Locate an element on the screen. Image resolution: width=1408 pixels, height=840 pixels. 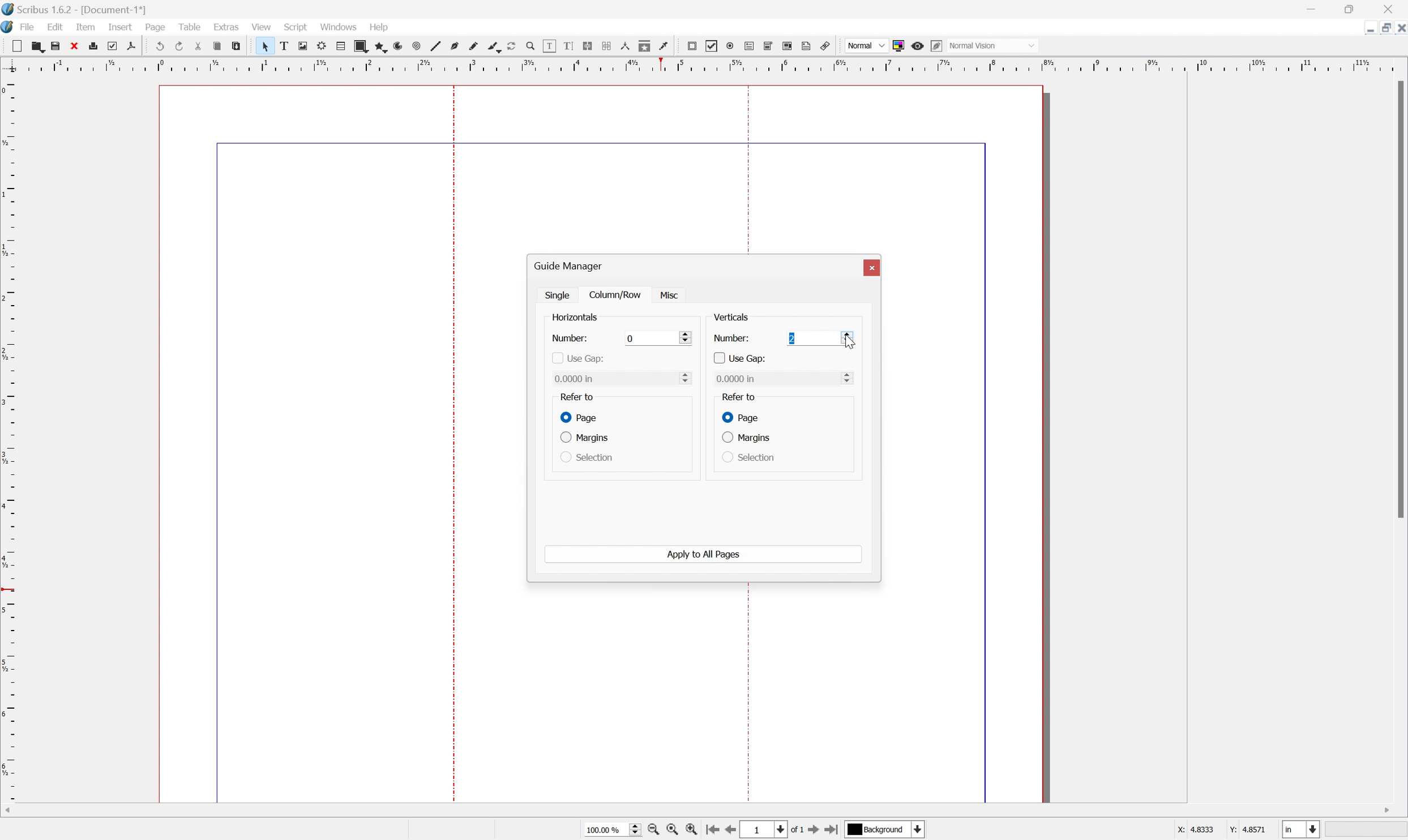
text annotation is located at coordinates (807, 45).